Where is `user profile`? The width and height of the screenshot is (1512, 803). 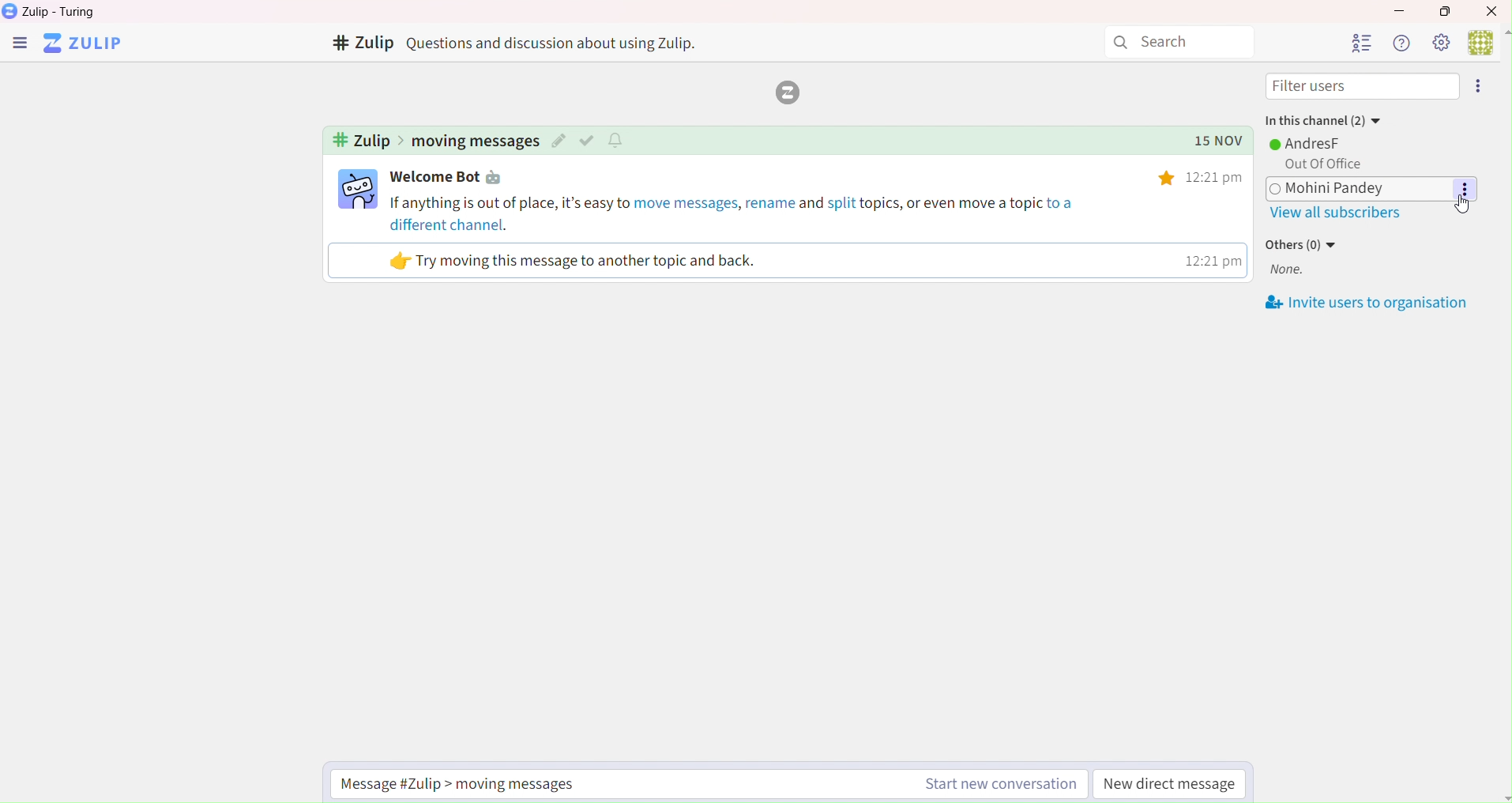 user profile is located at coordinates (359, 189).